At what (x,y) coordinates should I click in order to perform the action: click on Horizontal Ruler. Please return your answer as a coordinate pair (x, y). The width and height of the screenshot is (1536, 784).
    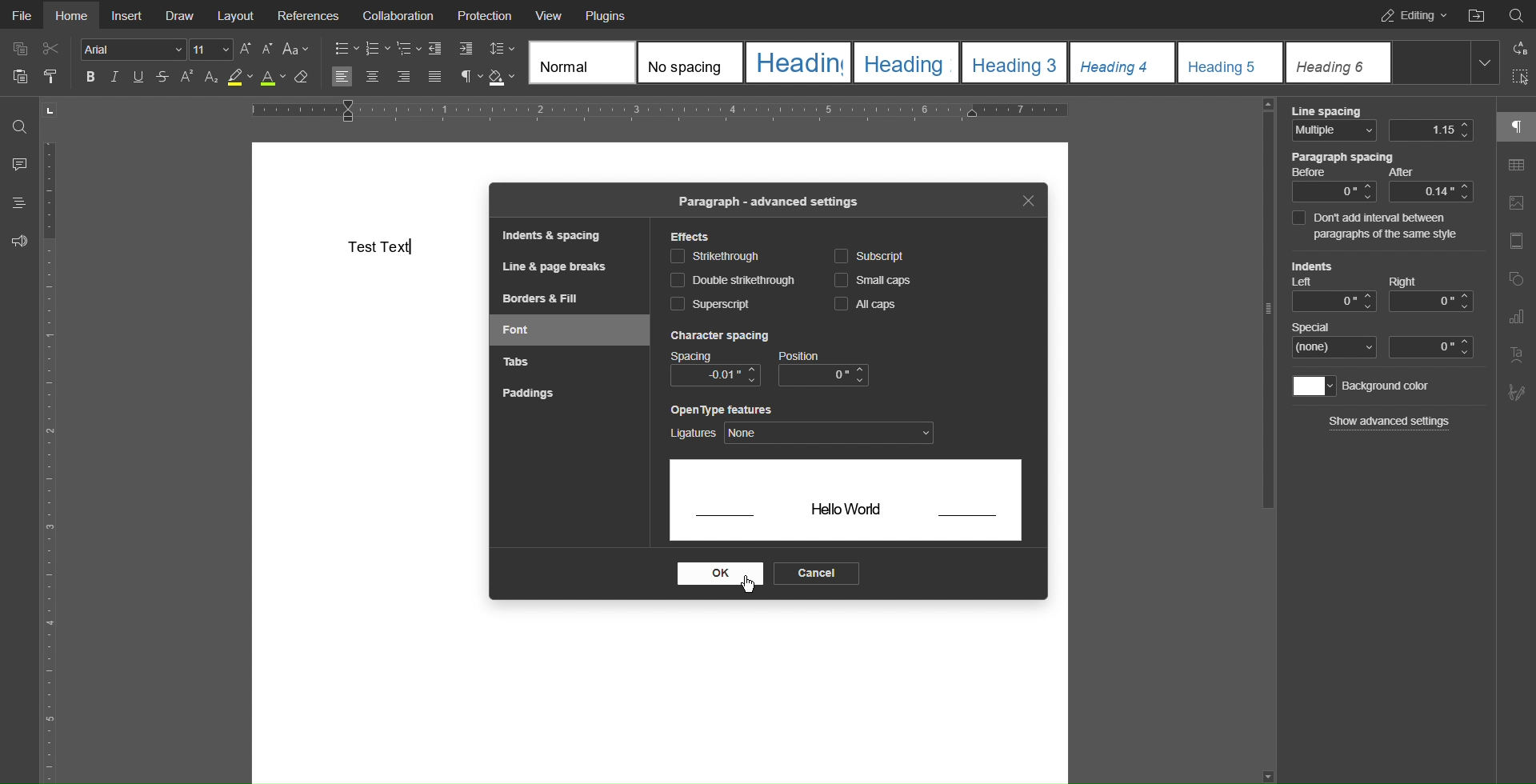
    Looking at the image, I should click on (659, 111).